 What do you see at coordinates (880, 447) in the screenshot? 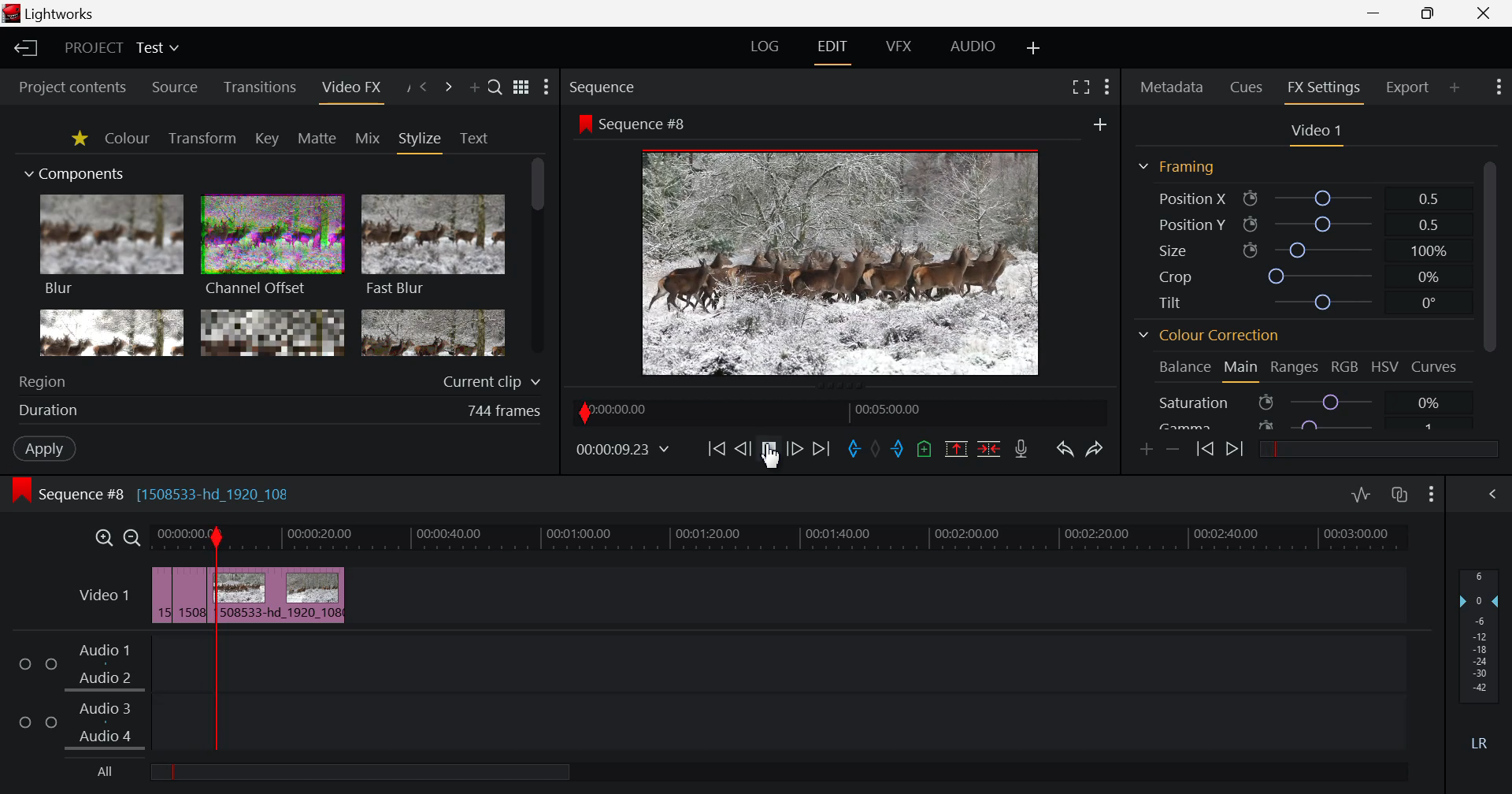
I see `Remove all marks` at bounding box center [880, 447].